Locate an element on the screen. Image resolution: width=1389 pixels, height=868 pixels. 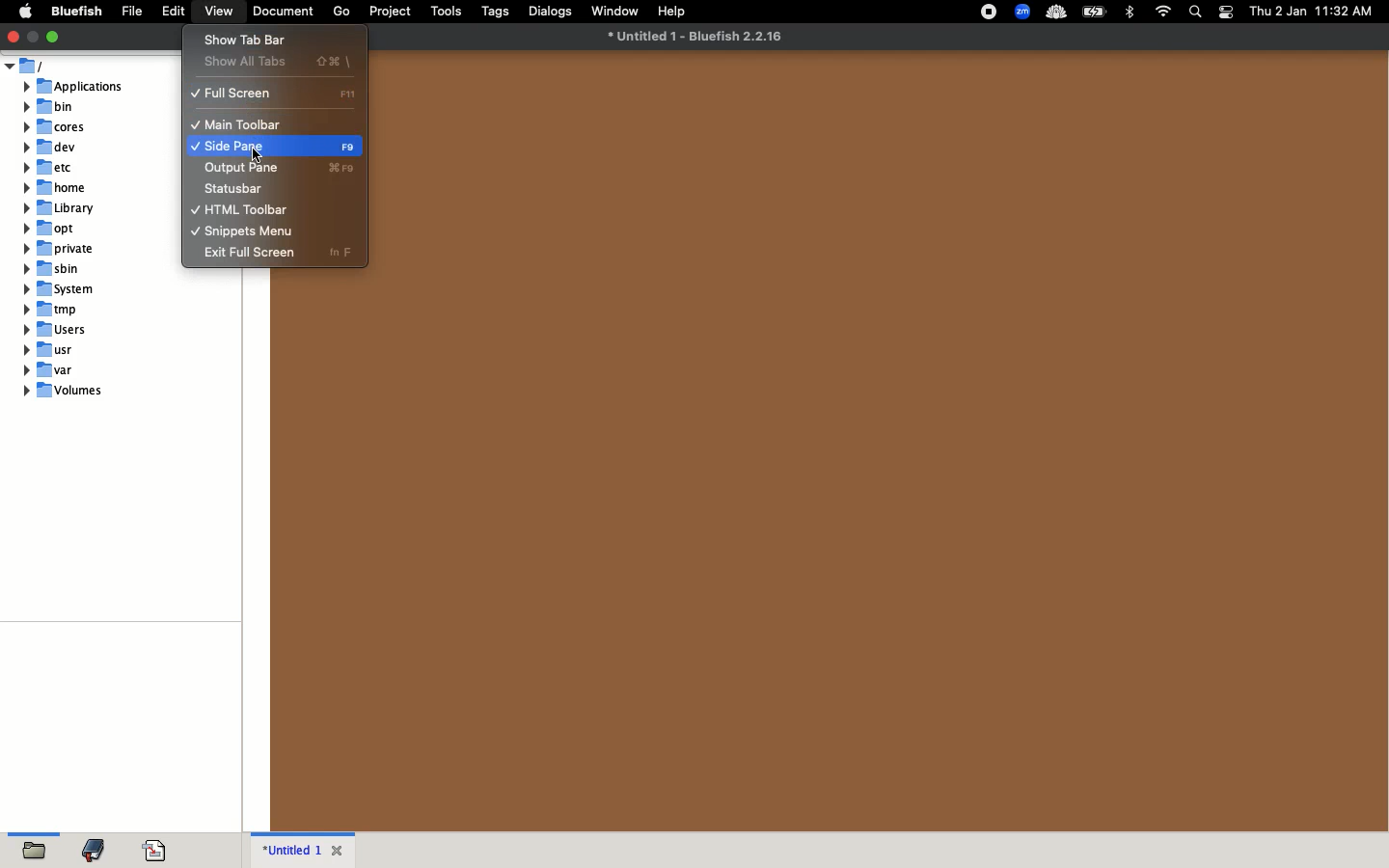
system is located at coordinates (60, 287).